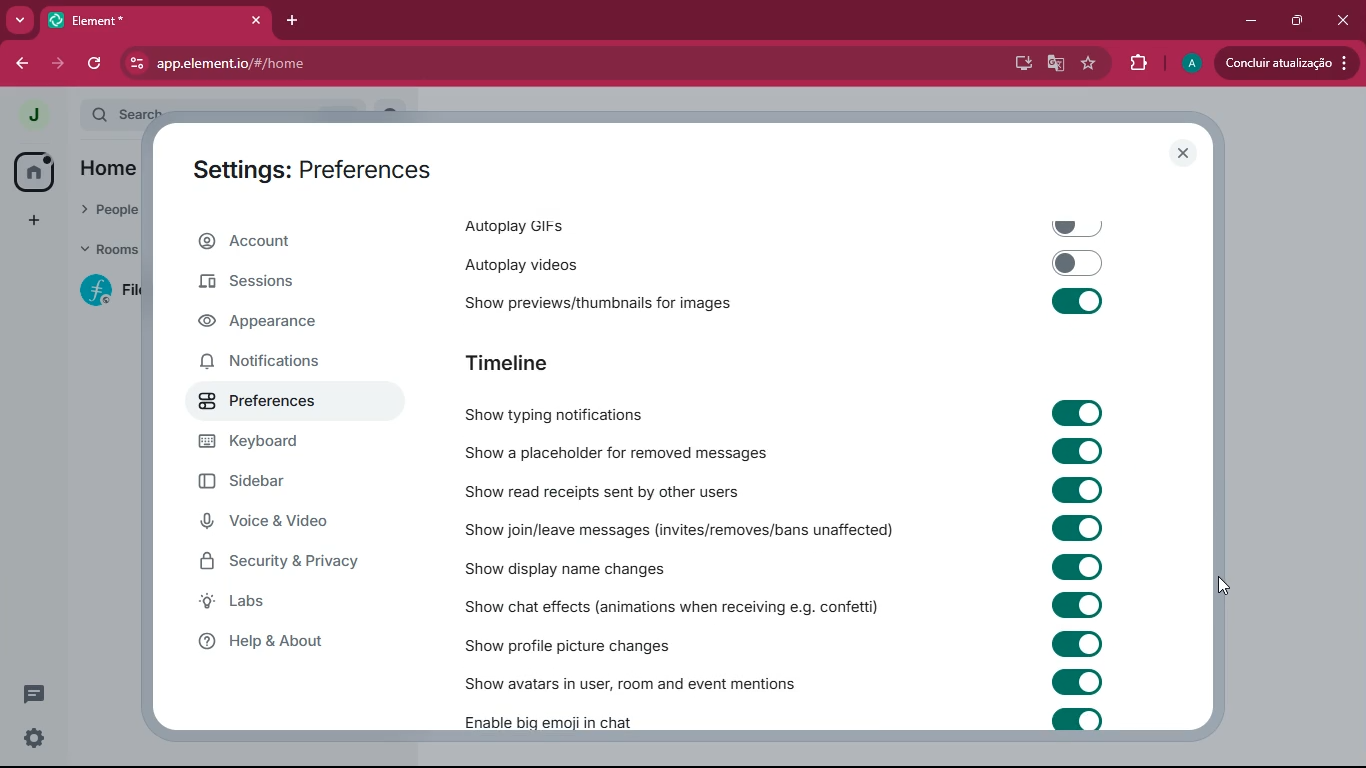  I want to click on restore down, so click(1296, 22).